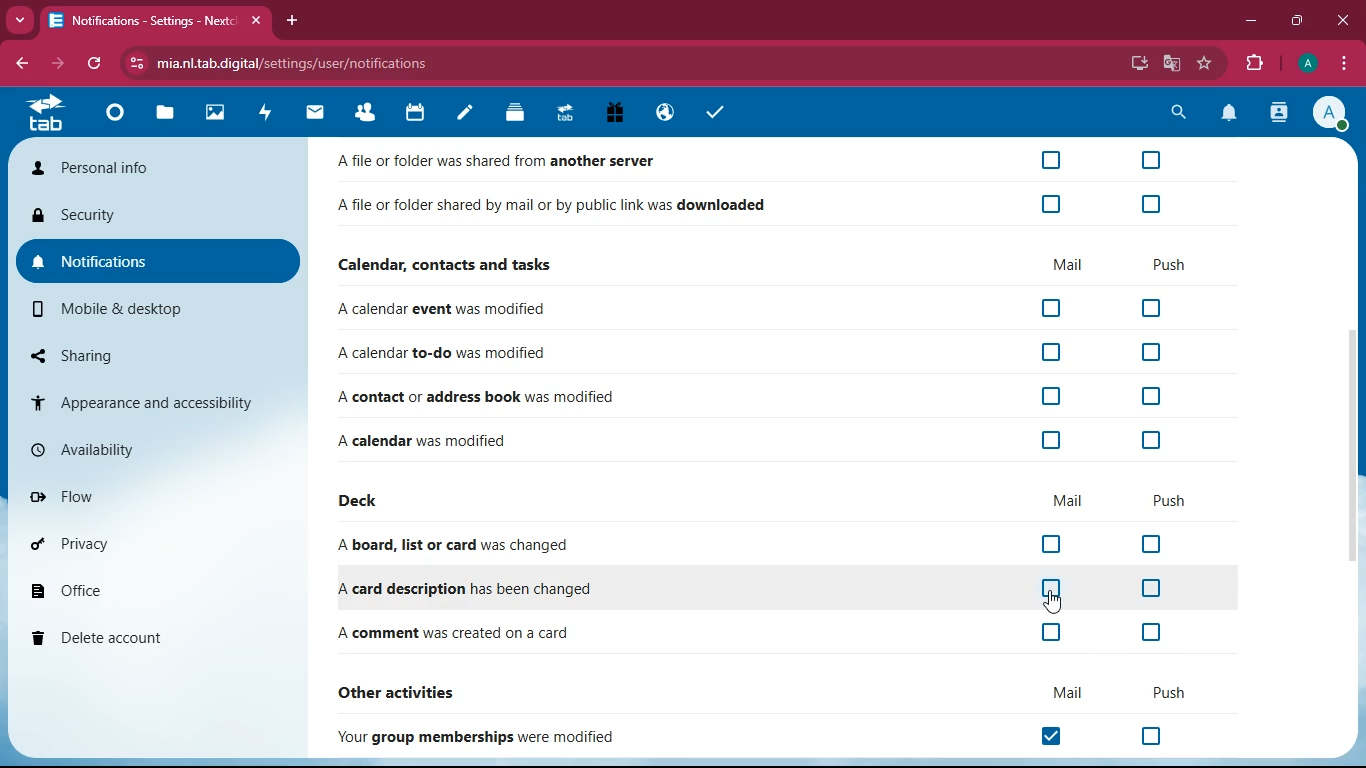 This screenshot has width=1366, height=768. Describe the element at coordinates (456, 635) in the screenshot. I see `A comment was created on a card` at that location.